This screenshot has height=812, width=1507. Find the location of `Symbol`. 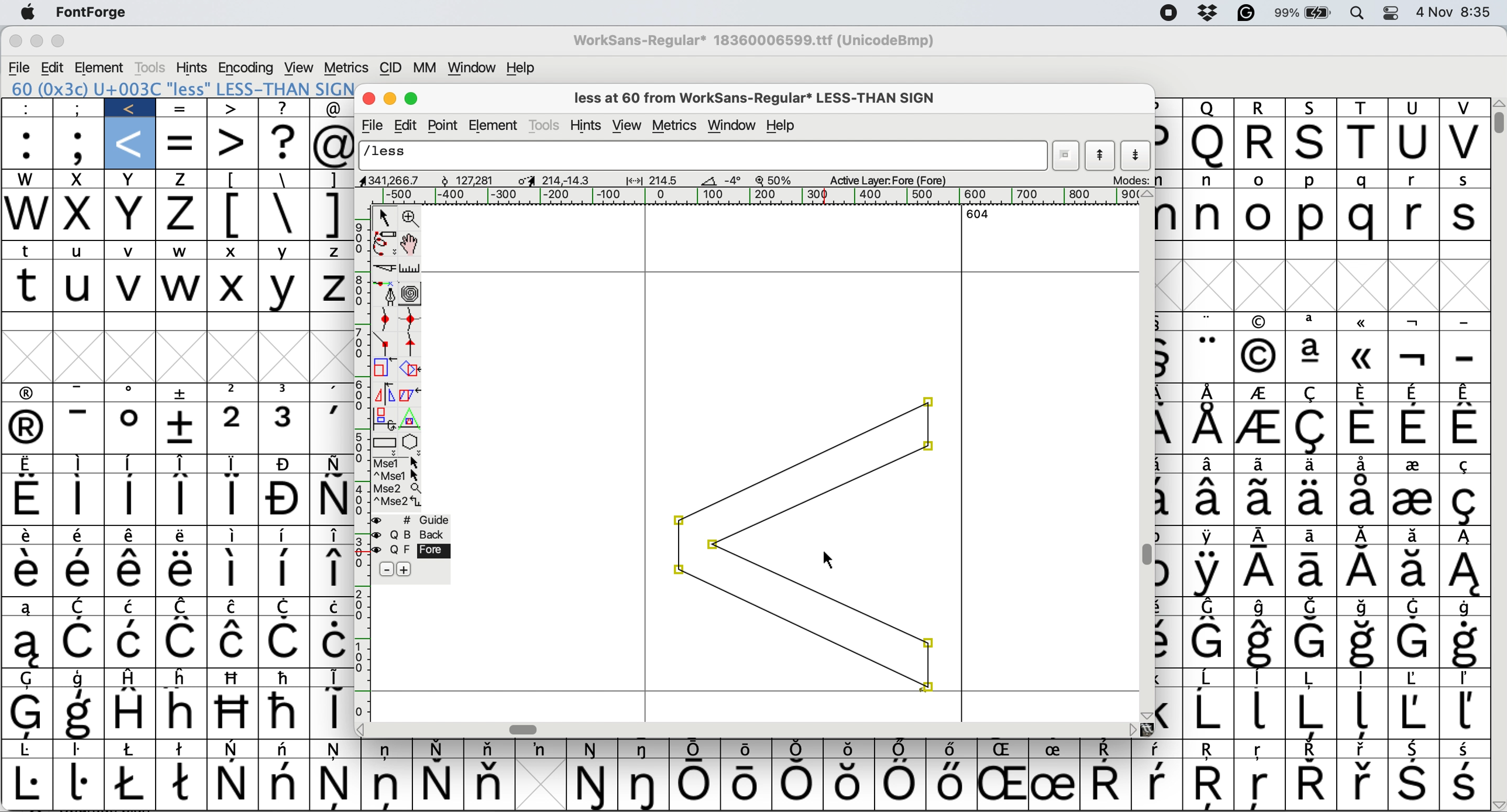

Symbol is located at coordinates (1414, 644).